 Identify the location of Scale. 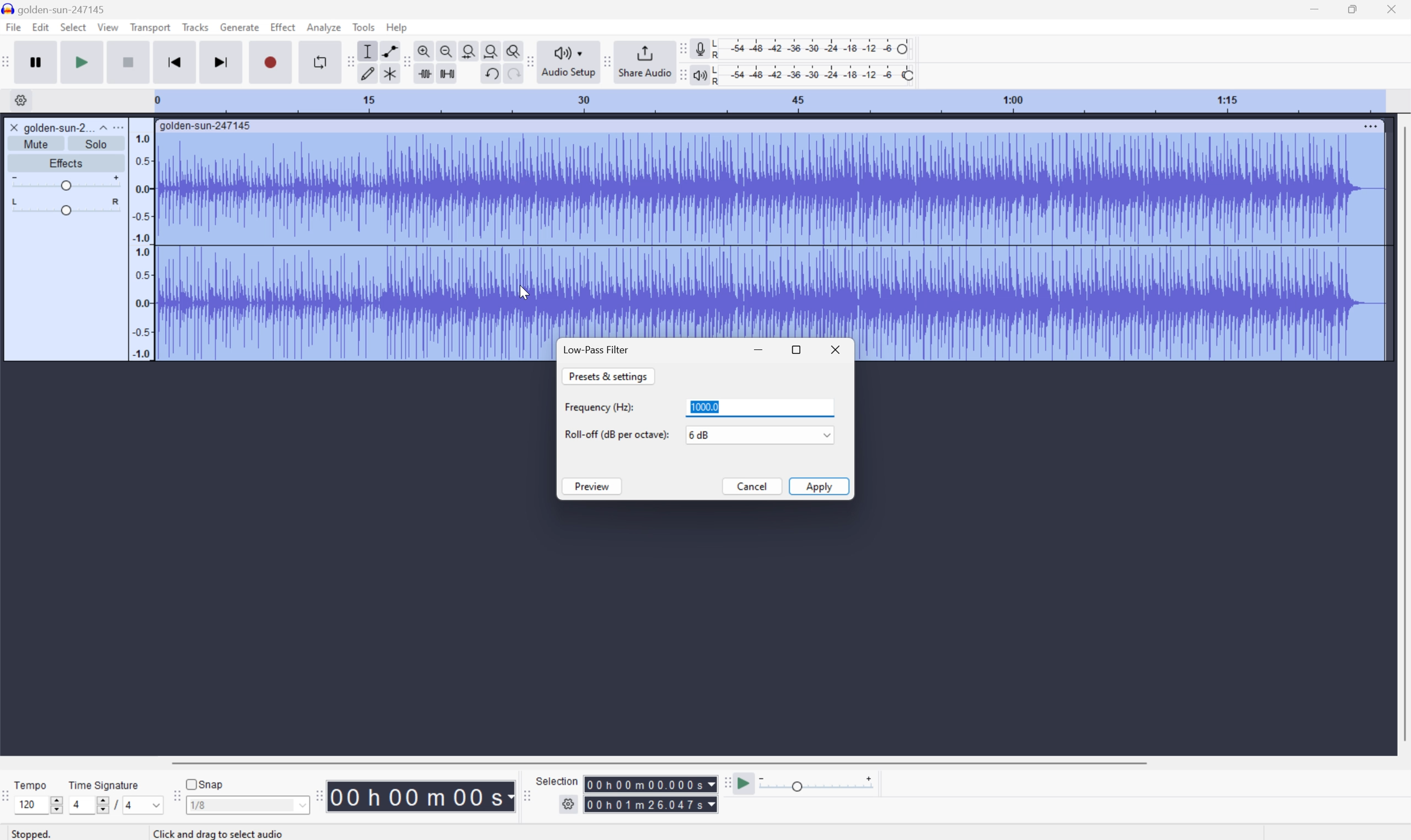
(767, 100).